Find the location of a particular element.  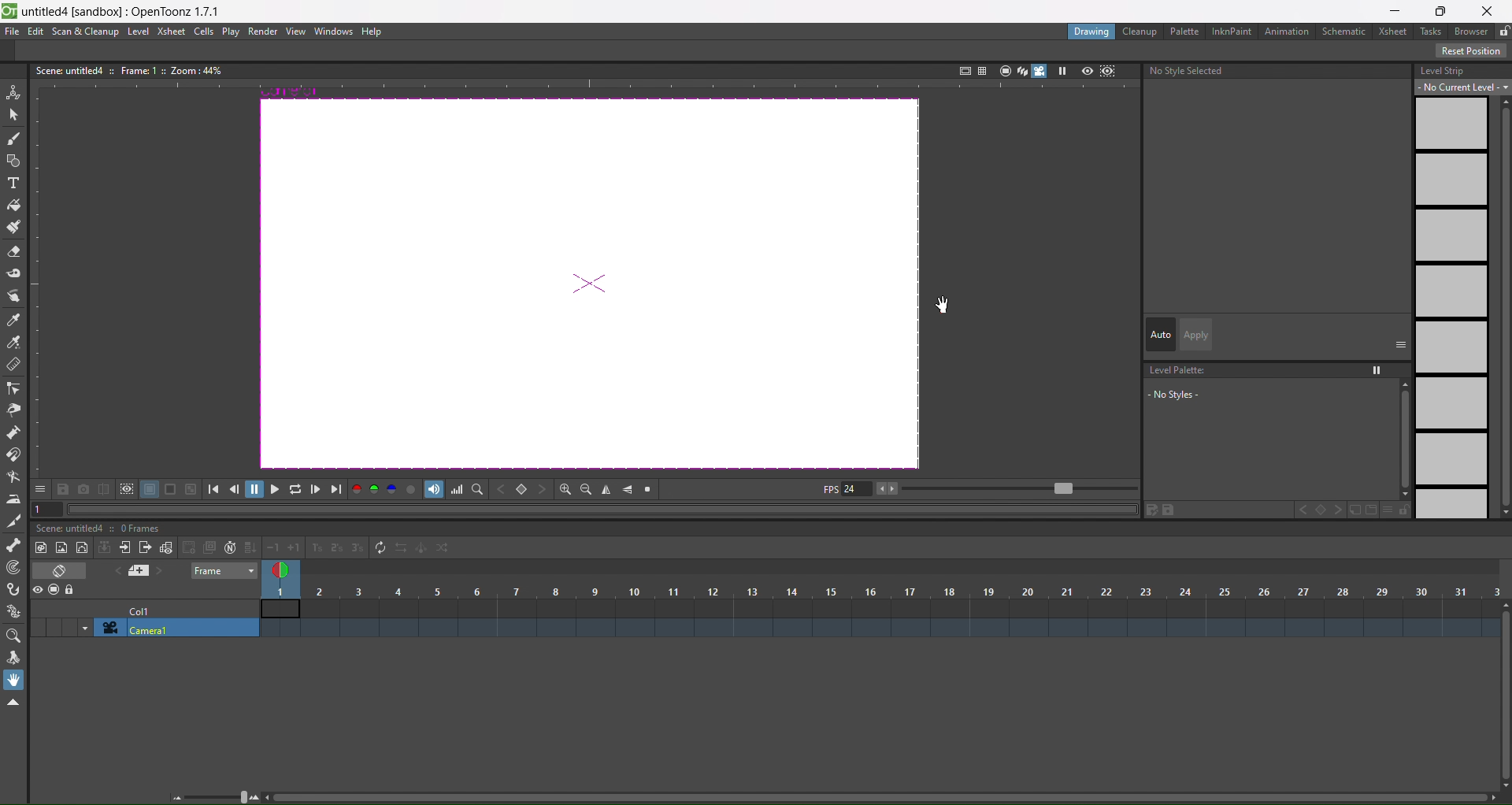

control point editor is located at coordinates (13, 388).